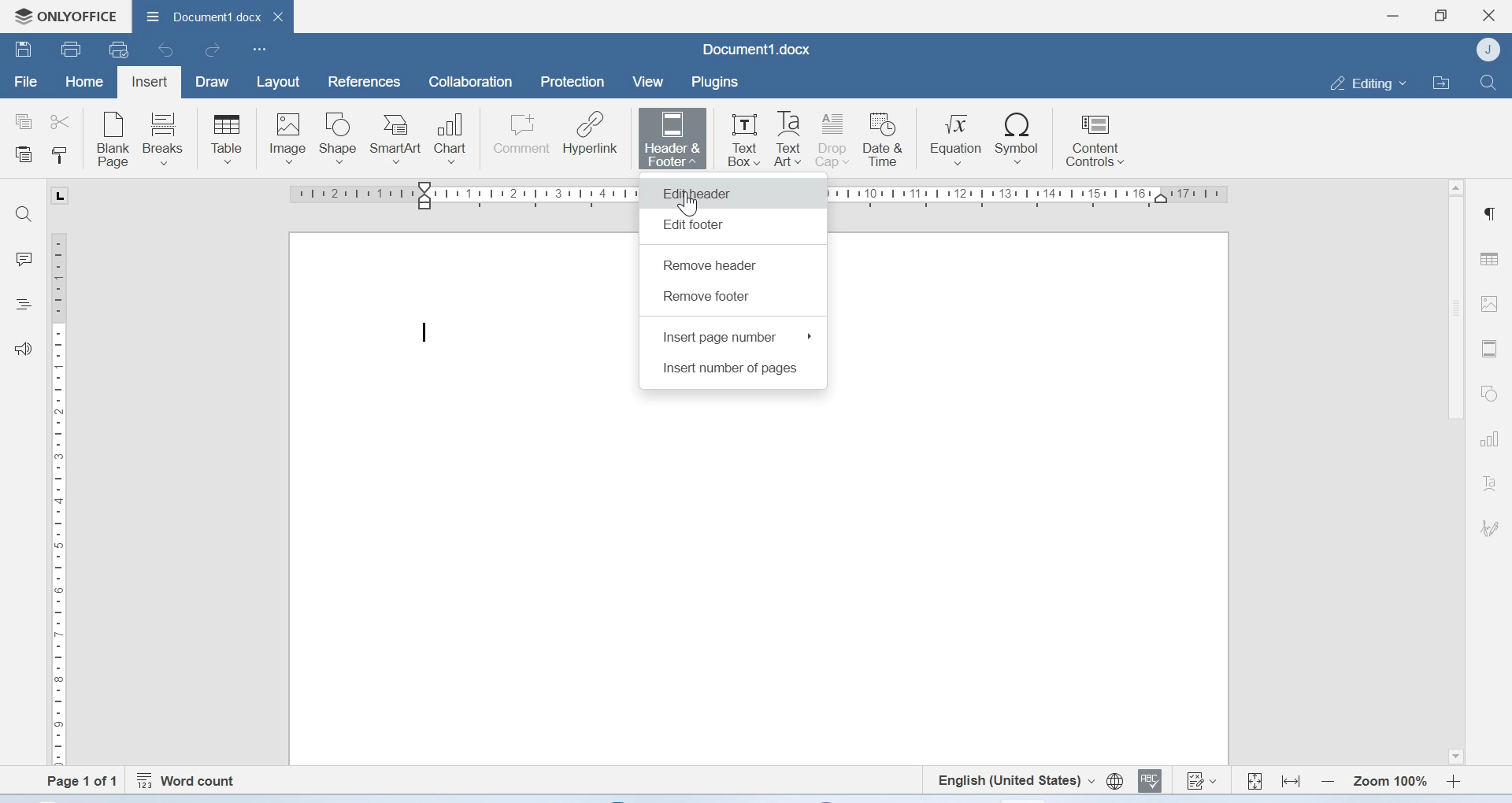  Describe the element at coordinates (574, 83) in the screenshot. I see `Protection` at that location.